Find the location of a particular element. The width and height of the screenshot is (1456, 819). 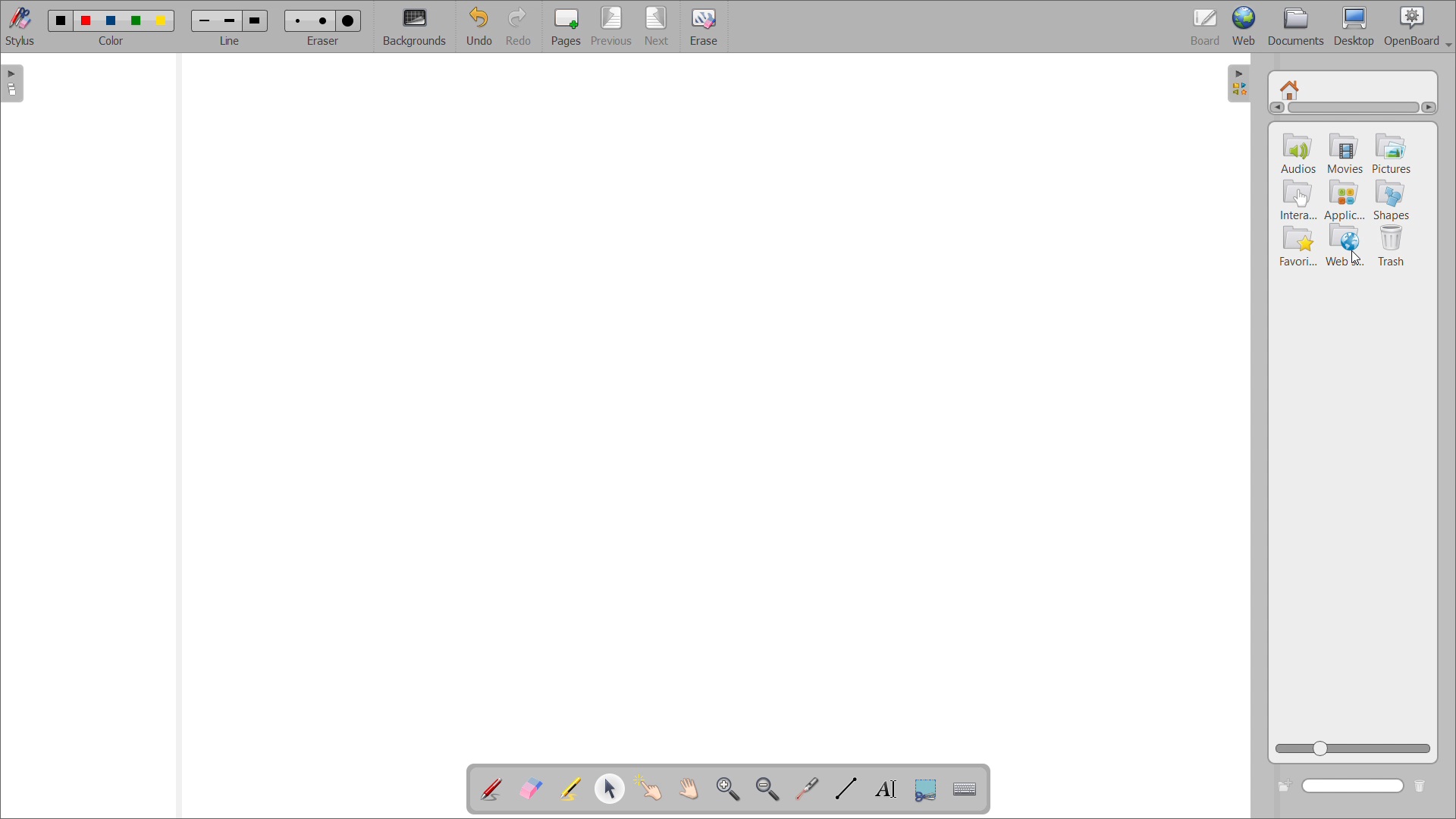

select object and modify is located at coordinates (610, 788).